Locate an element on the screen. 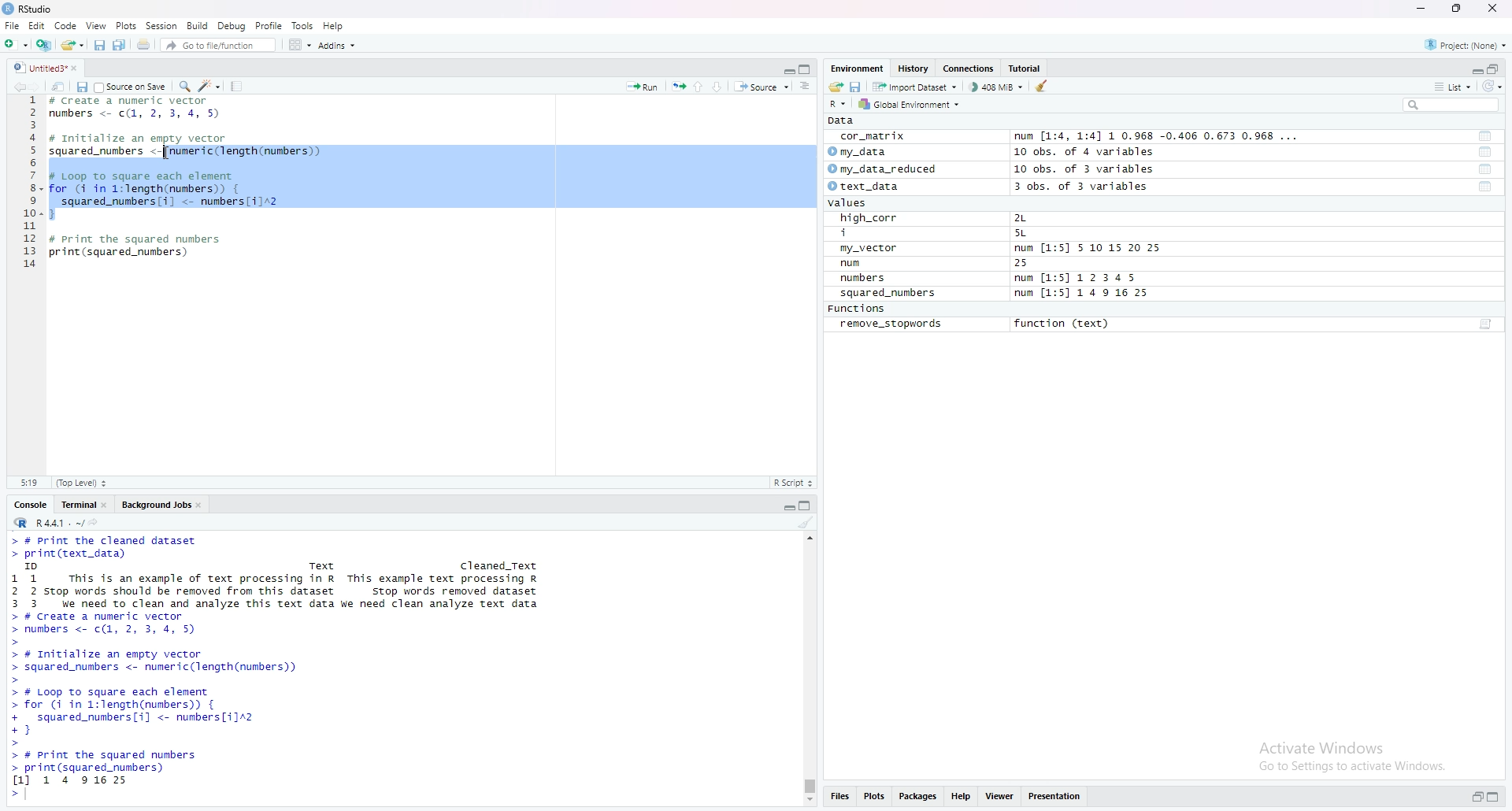 The width and height of the screenshot is (1512, 811). maximize is located at coordinates (808, 504).